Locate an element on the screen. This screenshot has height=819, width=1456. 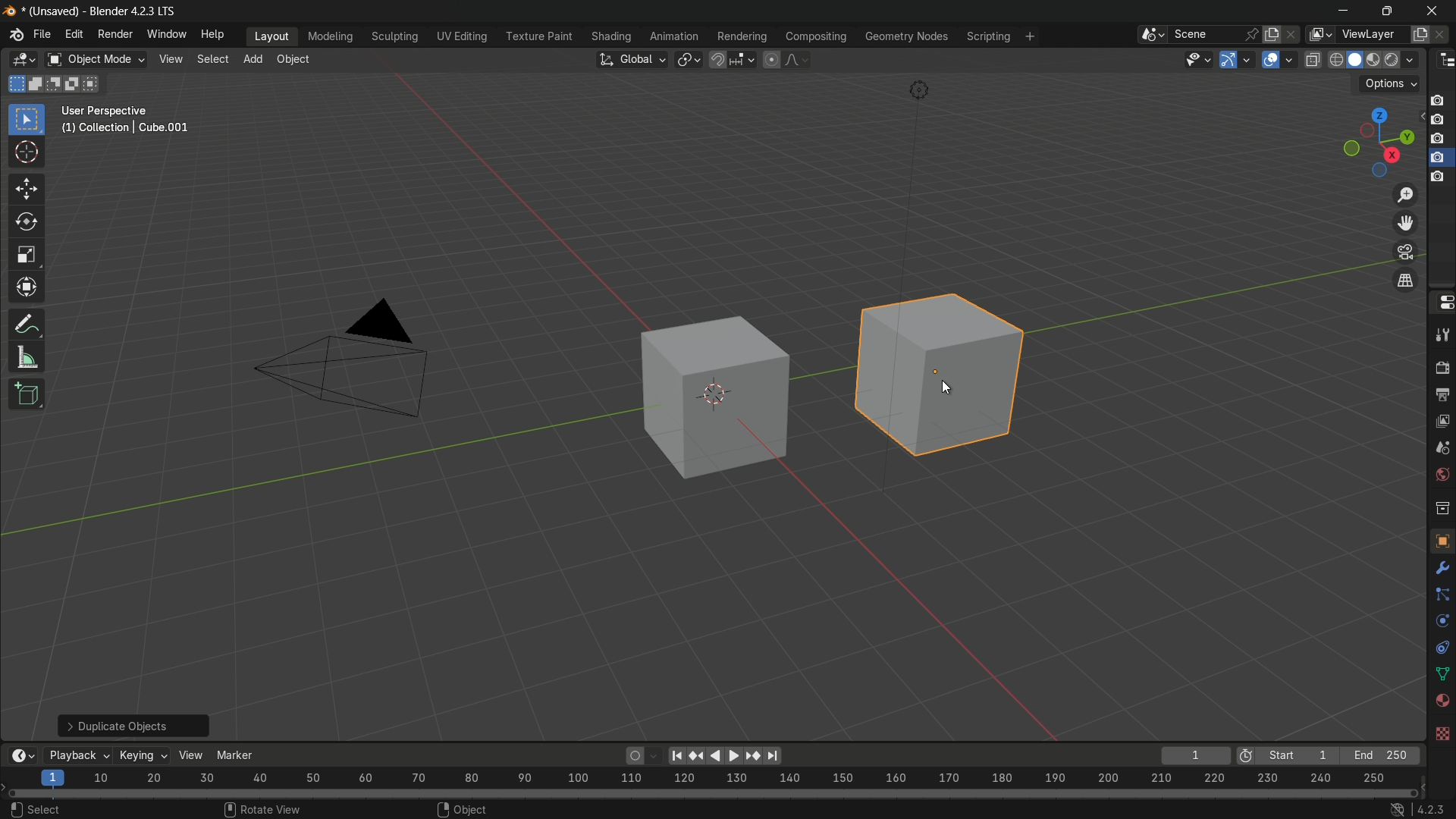
measure is located at coordinates (28, 358).